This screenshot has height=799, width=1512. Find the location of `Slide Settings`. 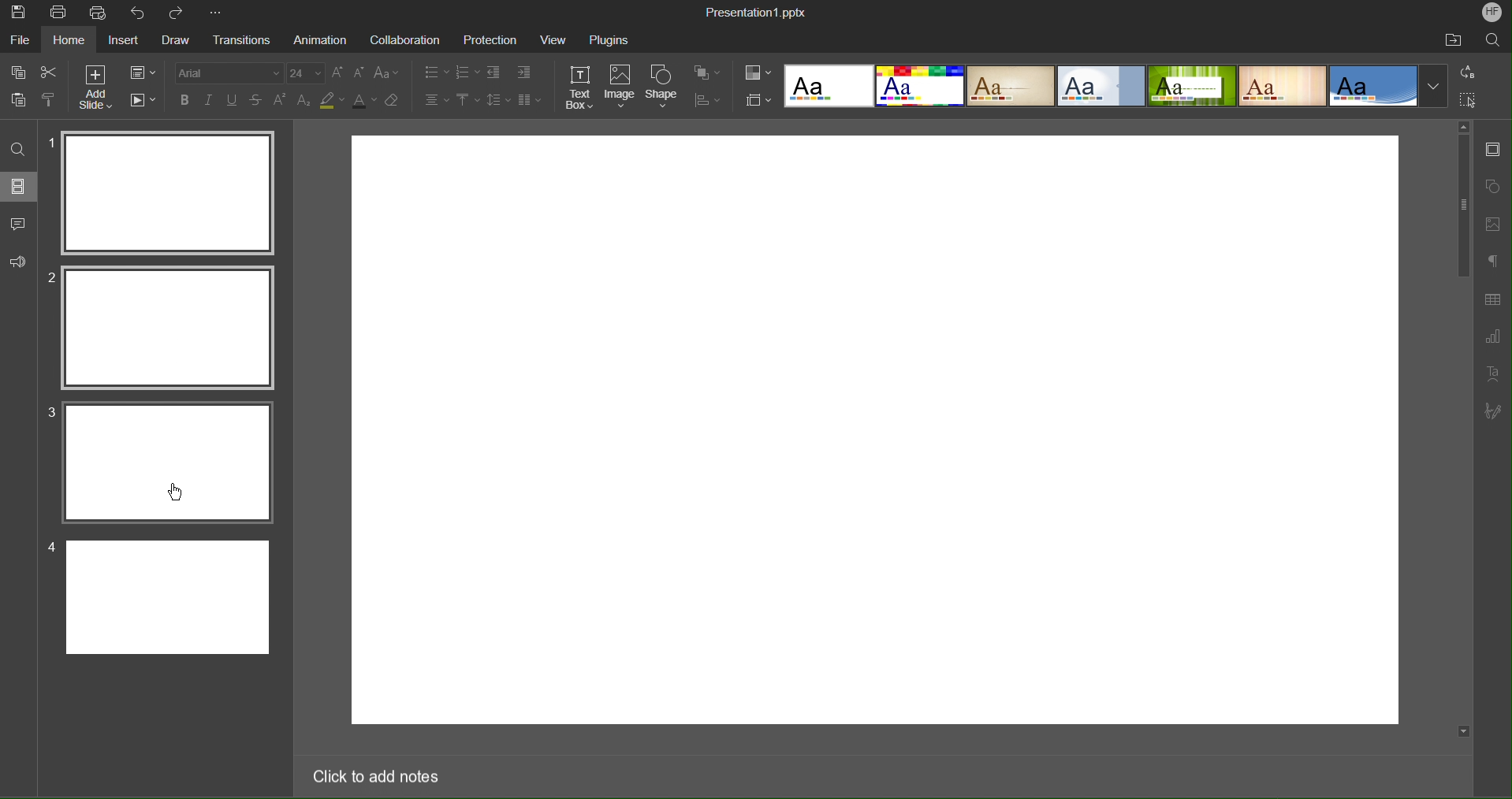

Slide Settings is located at coordinates (1494, 149).